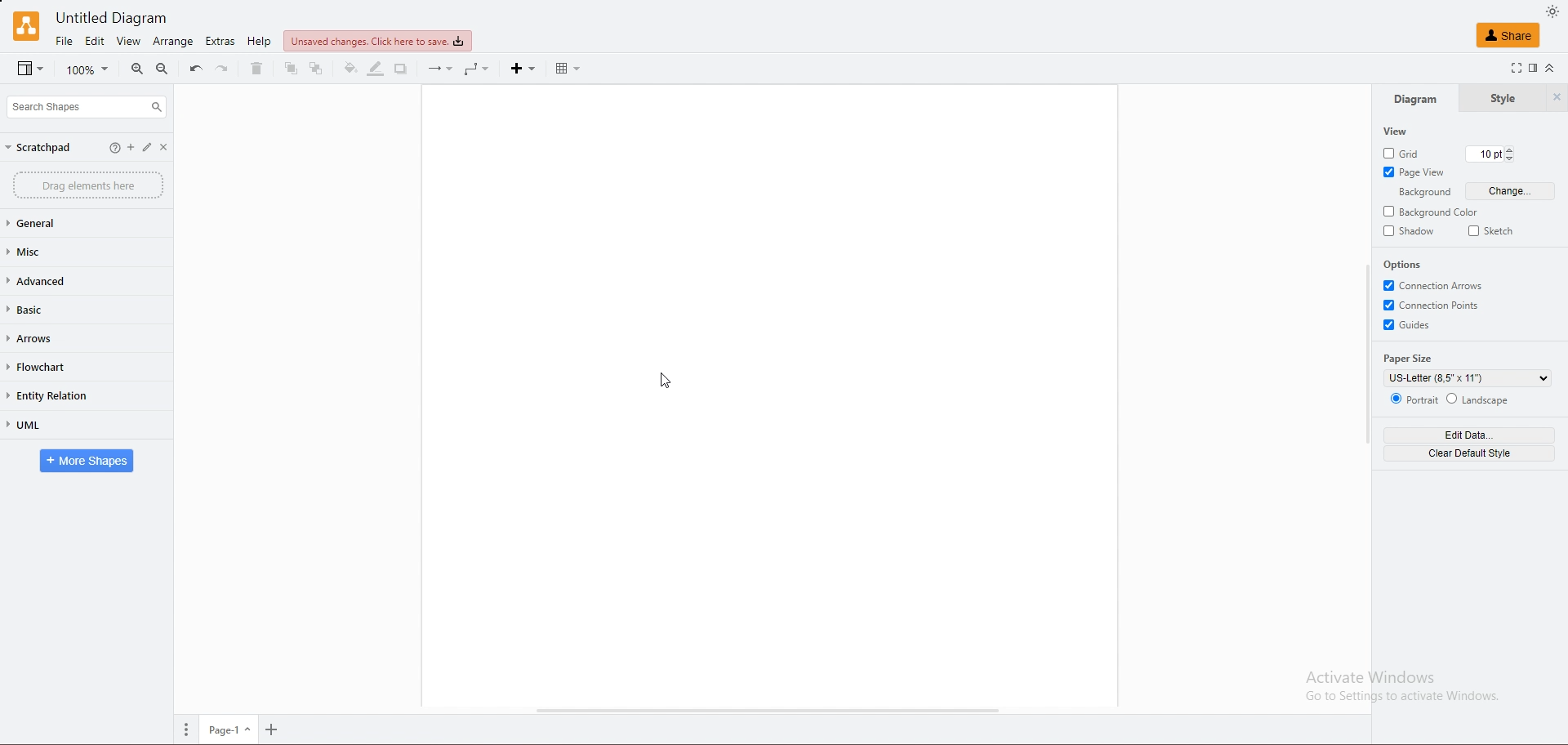 This screenshot has width=1568, height=745. I want to click on decrease grid pt, so click(1509, 160).